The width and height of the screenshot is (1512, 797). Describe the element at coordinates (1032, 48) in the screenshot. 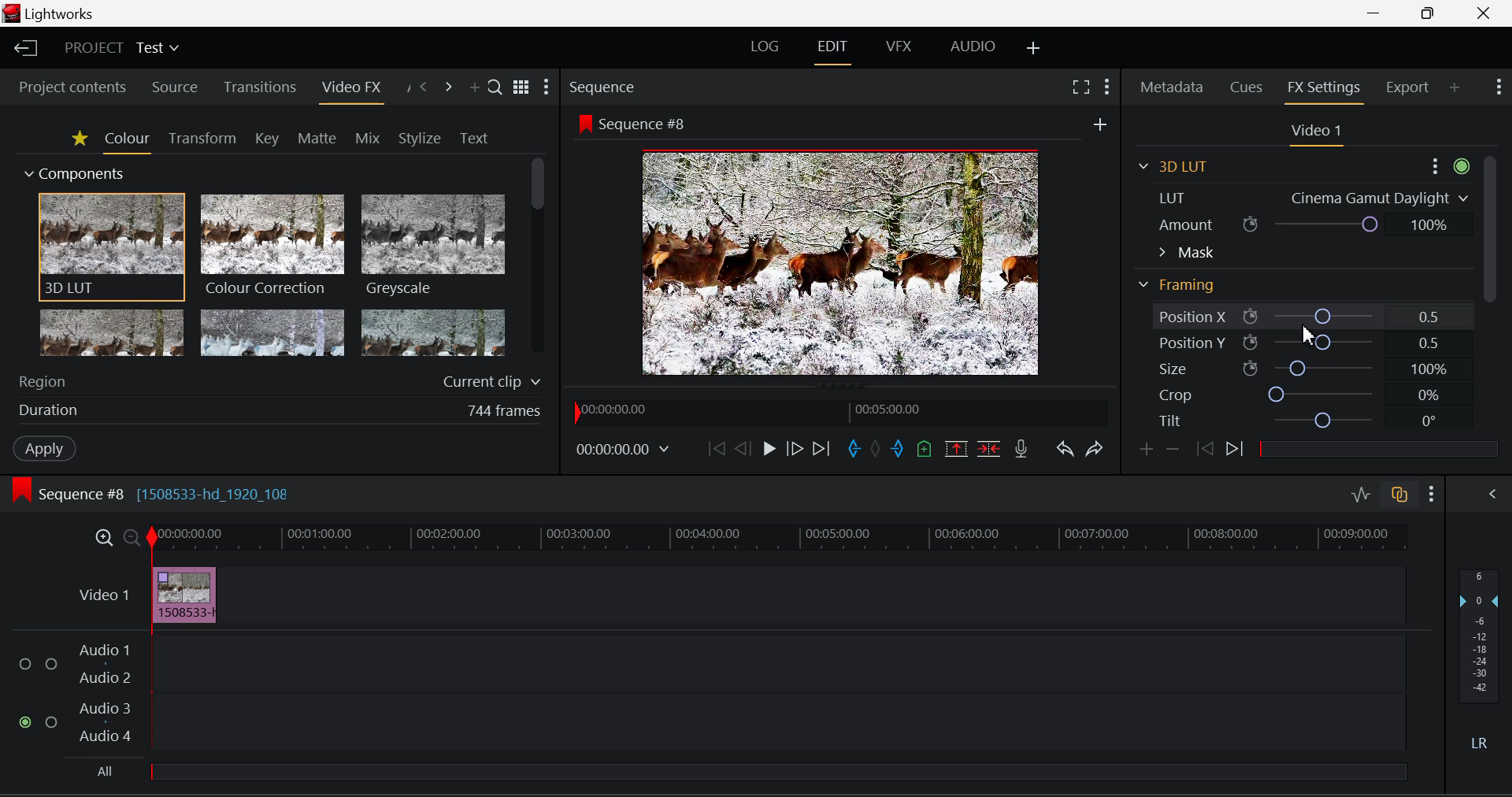

I see `Add Layout` at that location.